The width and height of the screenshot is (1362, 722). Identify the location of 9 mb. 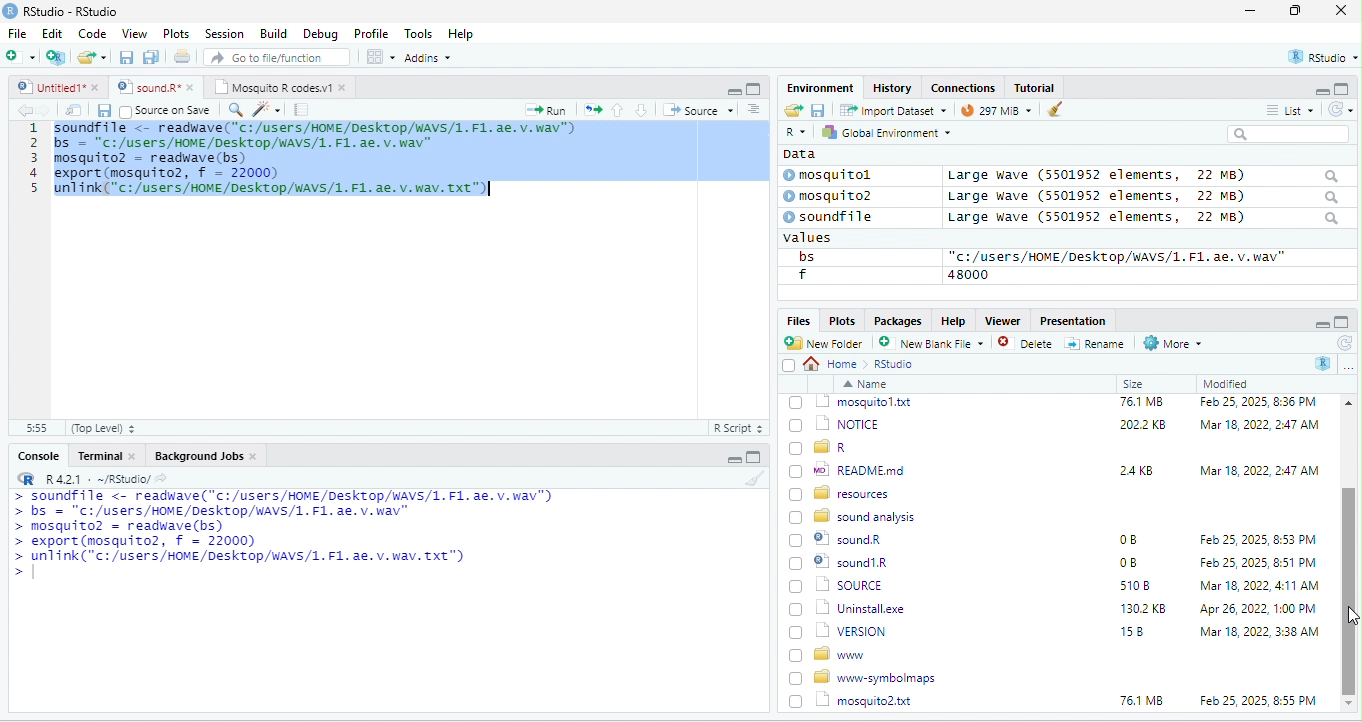
(993, 112).